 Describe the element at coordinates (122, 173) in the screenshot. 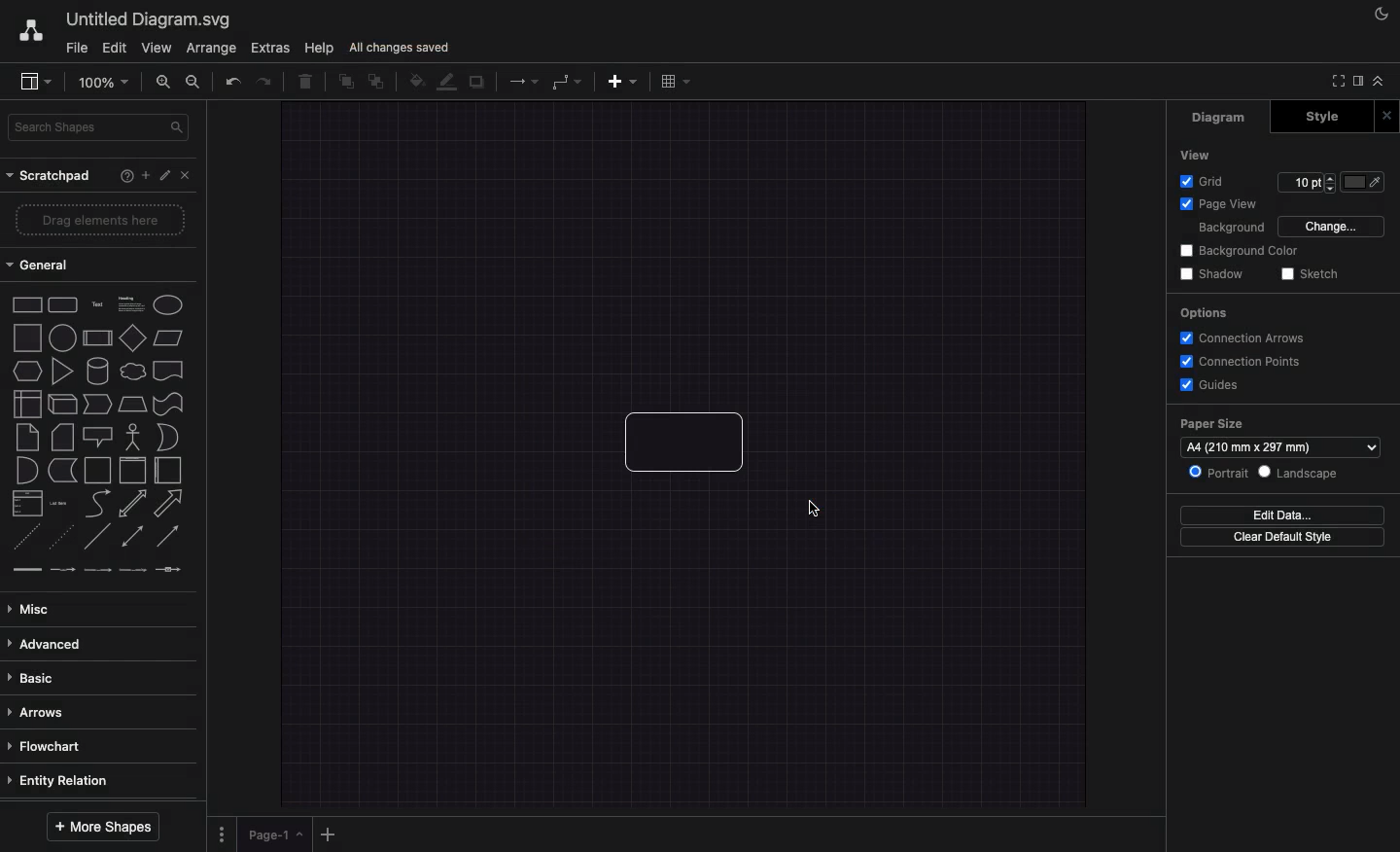

I see `Help` at that location.